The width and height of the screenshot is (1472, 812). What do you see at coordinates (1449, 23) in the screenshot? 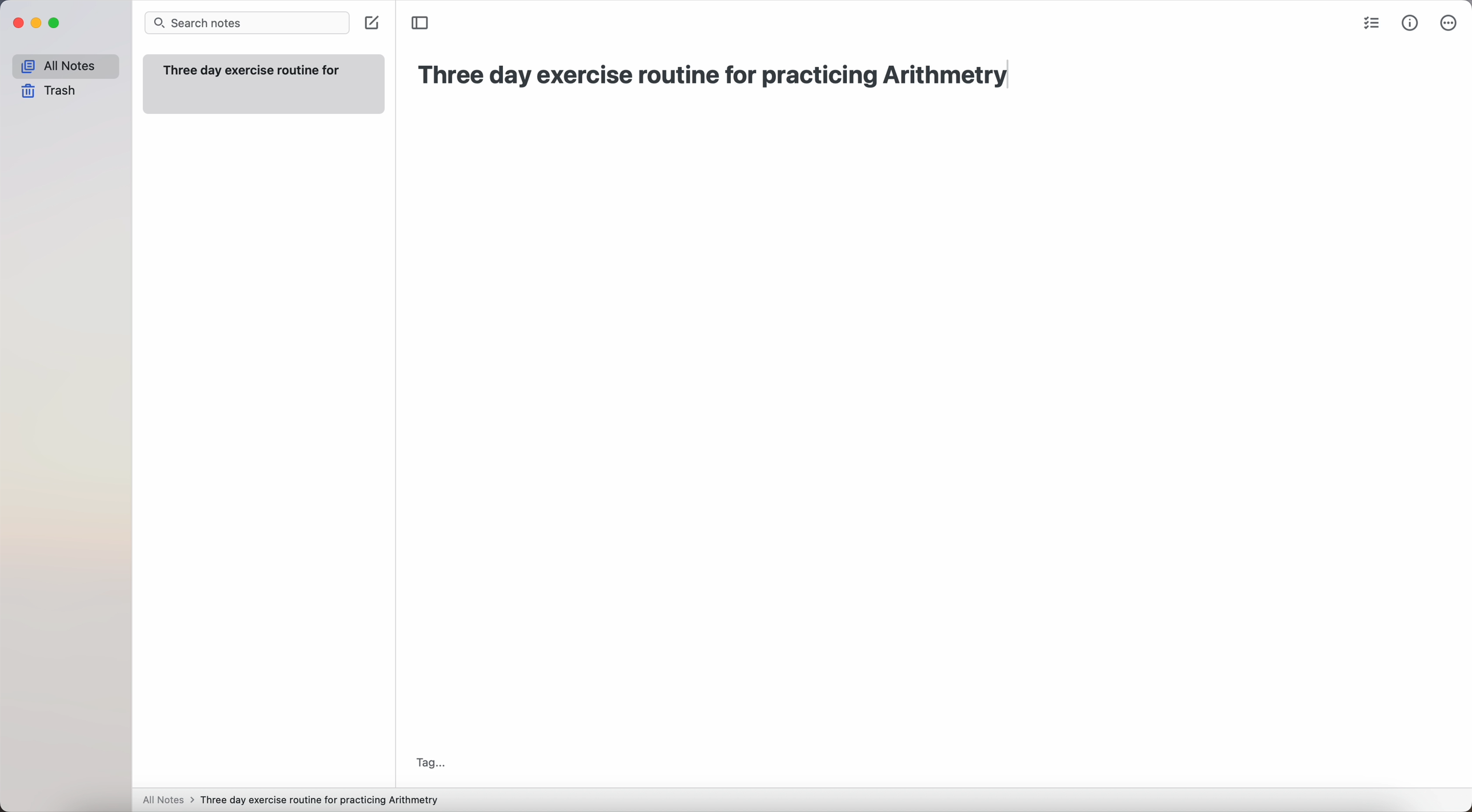
I see `more options` at bounding box center [1449, 23].